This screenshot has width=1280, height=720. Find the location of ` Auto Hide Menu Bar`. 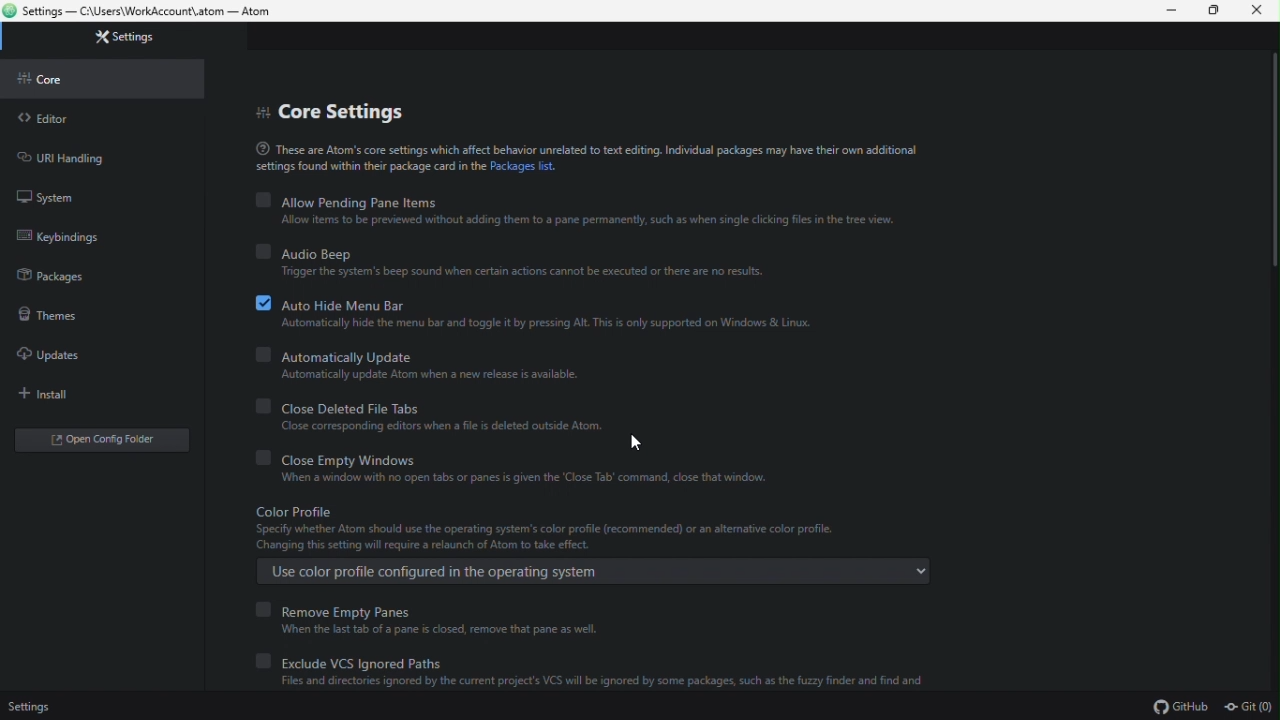

 Auto Hide Menu Bar is located at coordinates (328, 303).